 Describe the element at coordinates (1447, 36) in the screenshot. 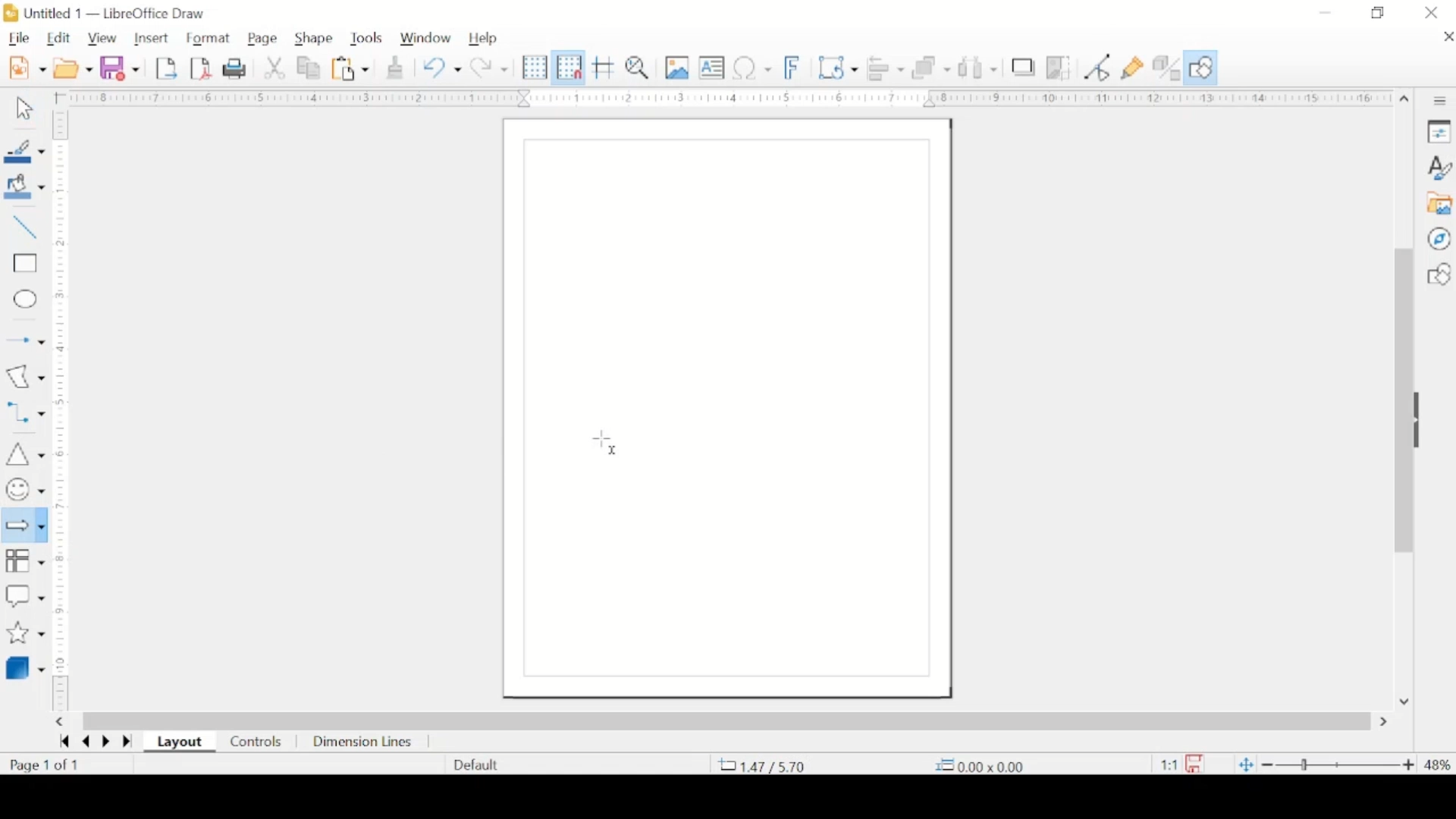

I see `close` at that location.